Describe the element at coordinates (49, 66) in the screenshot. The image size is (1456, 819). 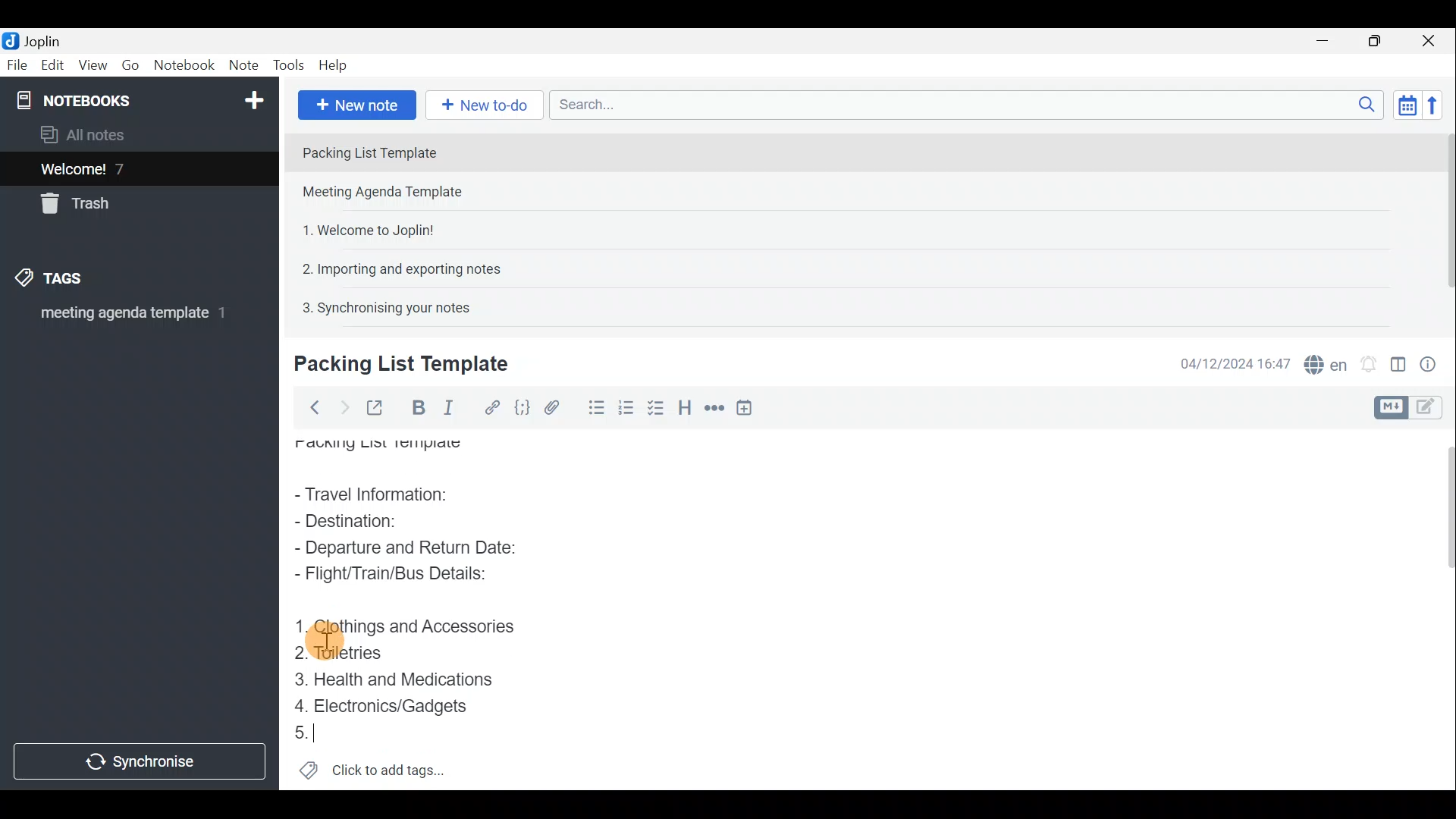
I see `Edit` at that location.